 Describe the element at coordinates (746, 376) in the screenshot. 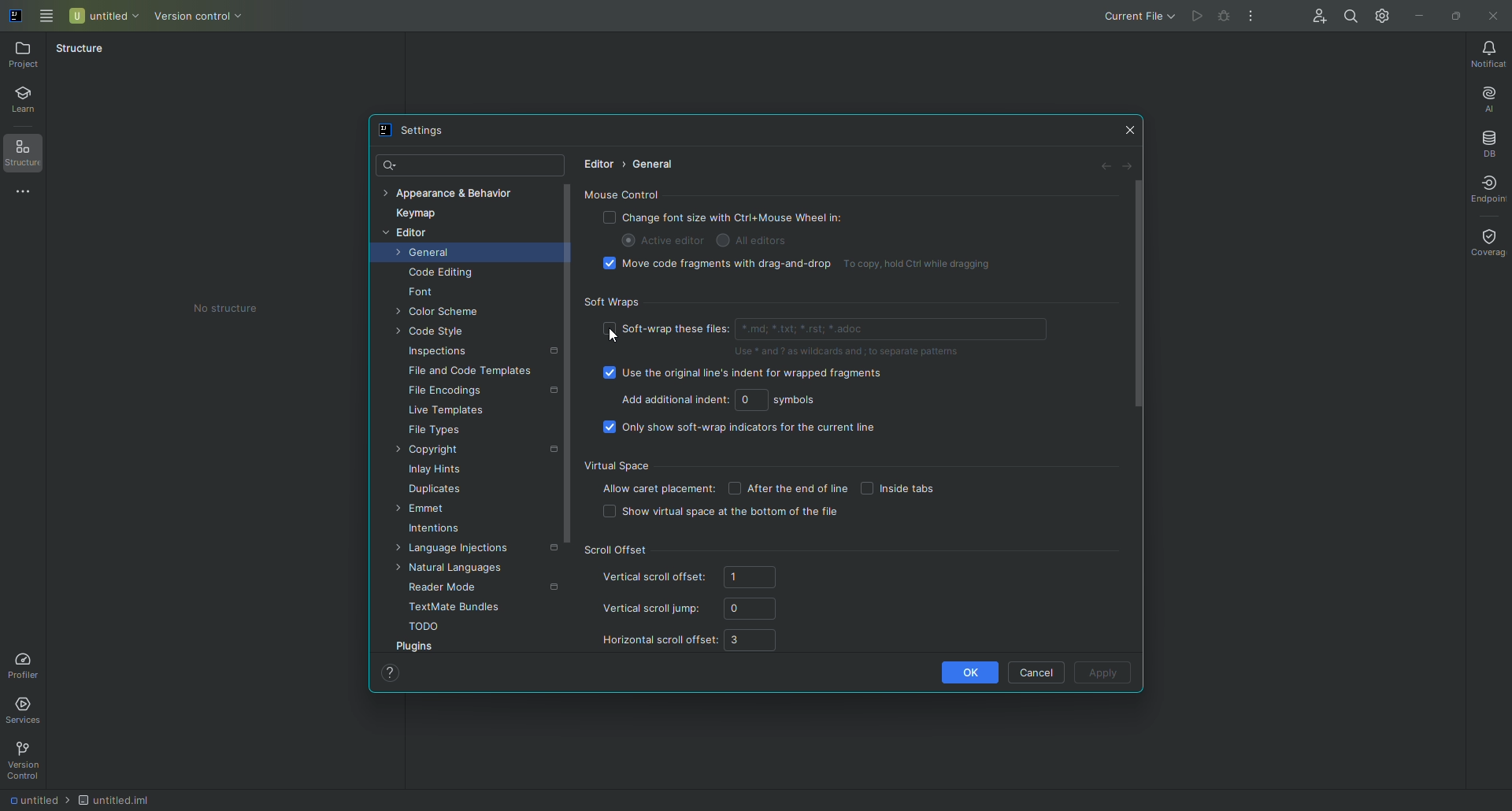

I see `Use the original line` at that location.